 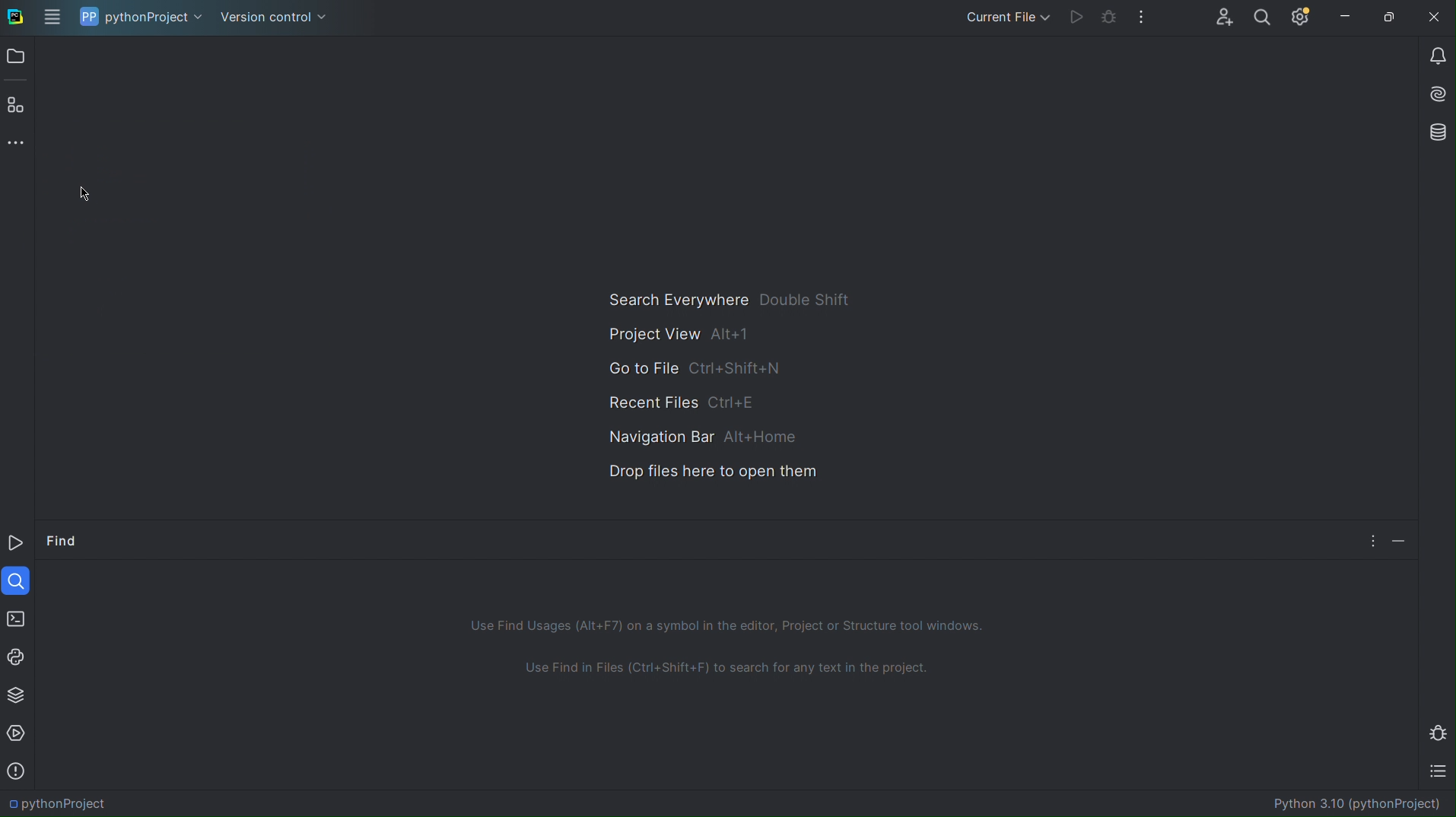 What do you see at coordinates (18, 656) in the screenshot?
I see `Python Console` at bounding box center [18, 656].